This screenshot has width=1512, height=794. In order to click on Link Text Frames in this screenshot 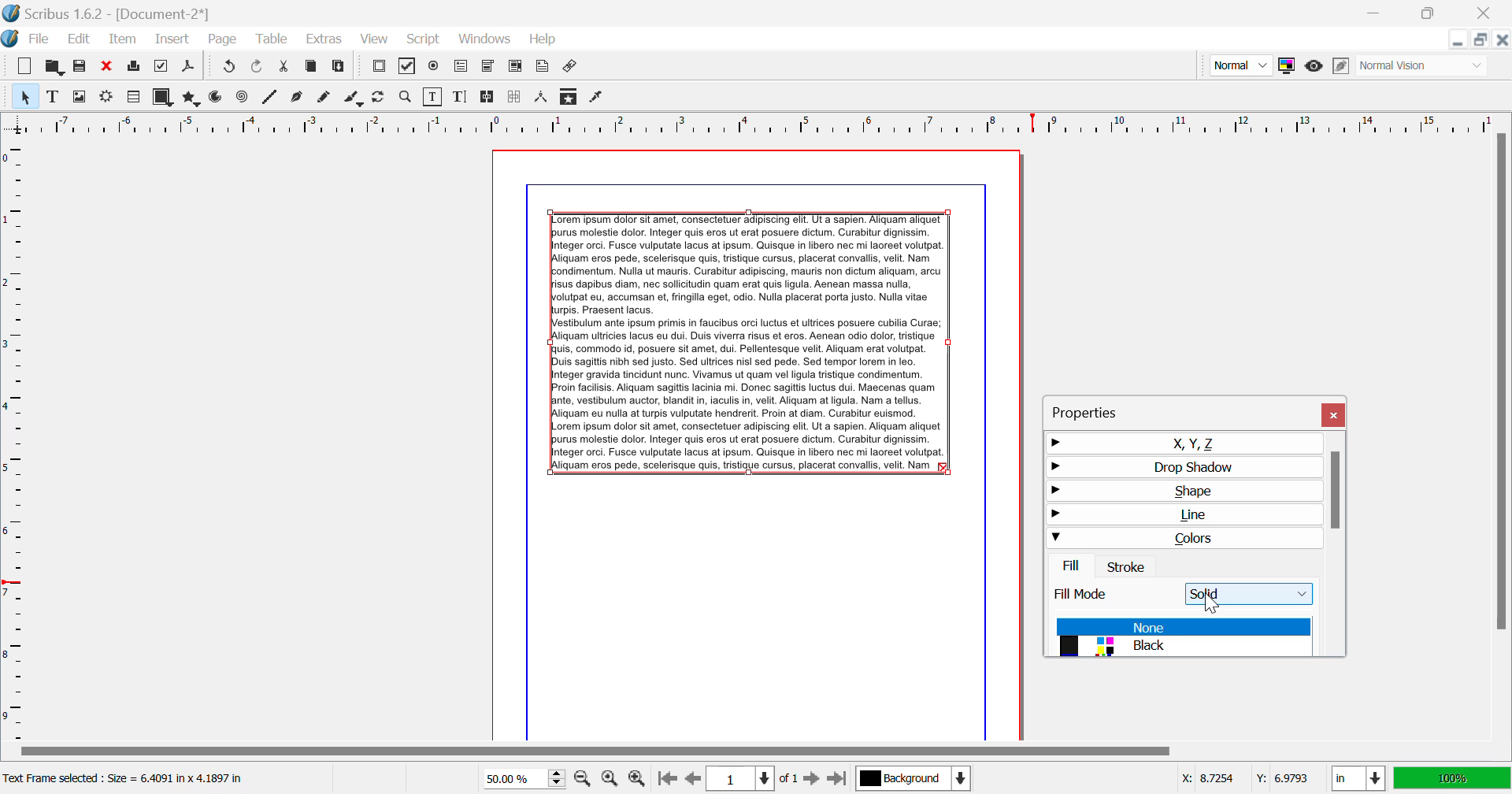, I will do `click(488, 98)`.